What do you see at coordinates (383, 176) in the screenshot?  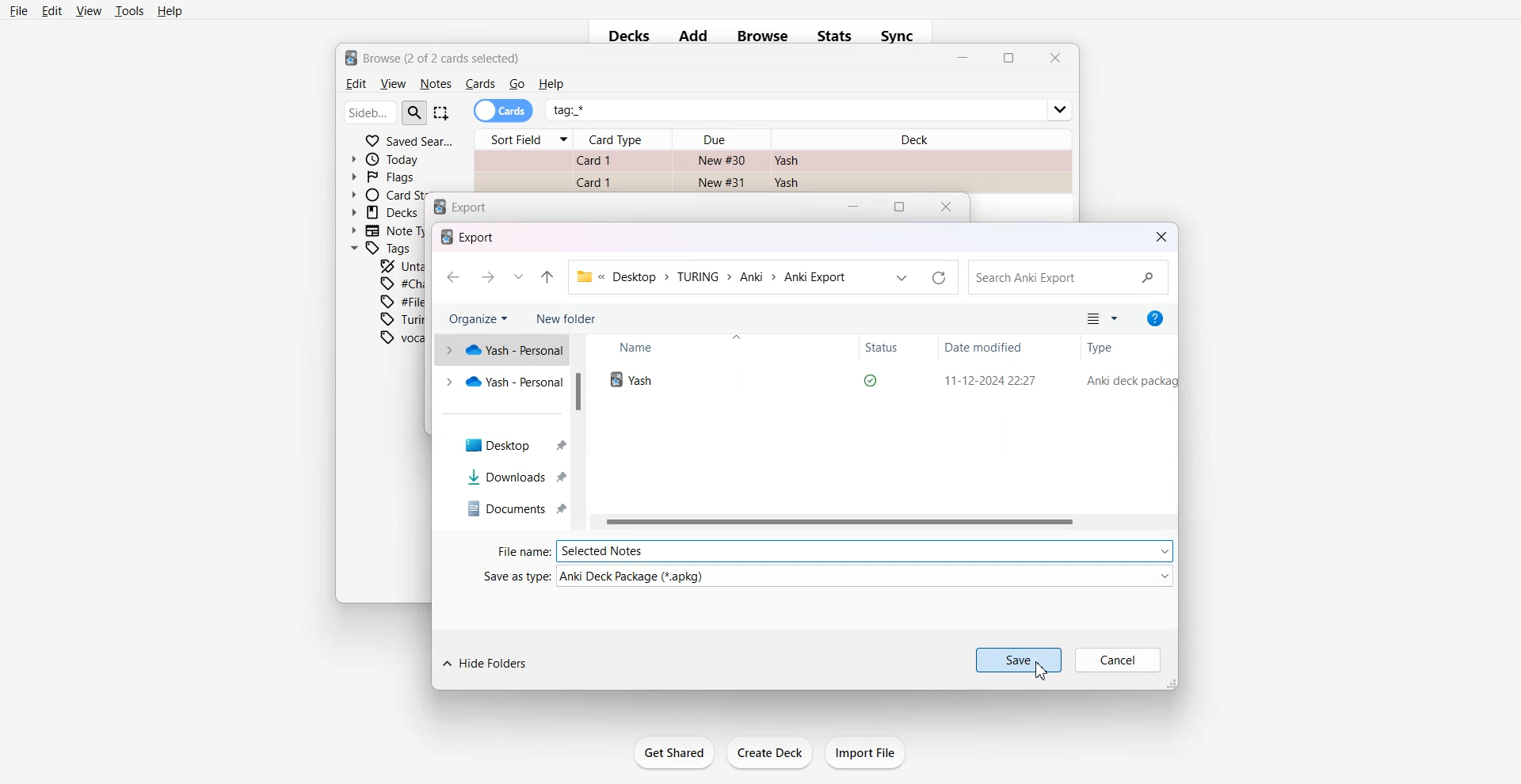 I see `Flags` at bounding box center [383, 176].